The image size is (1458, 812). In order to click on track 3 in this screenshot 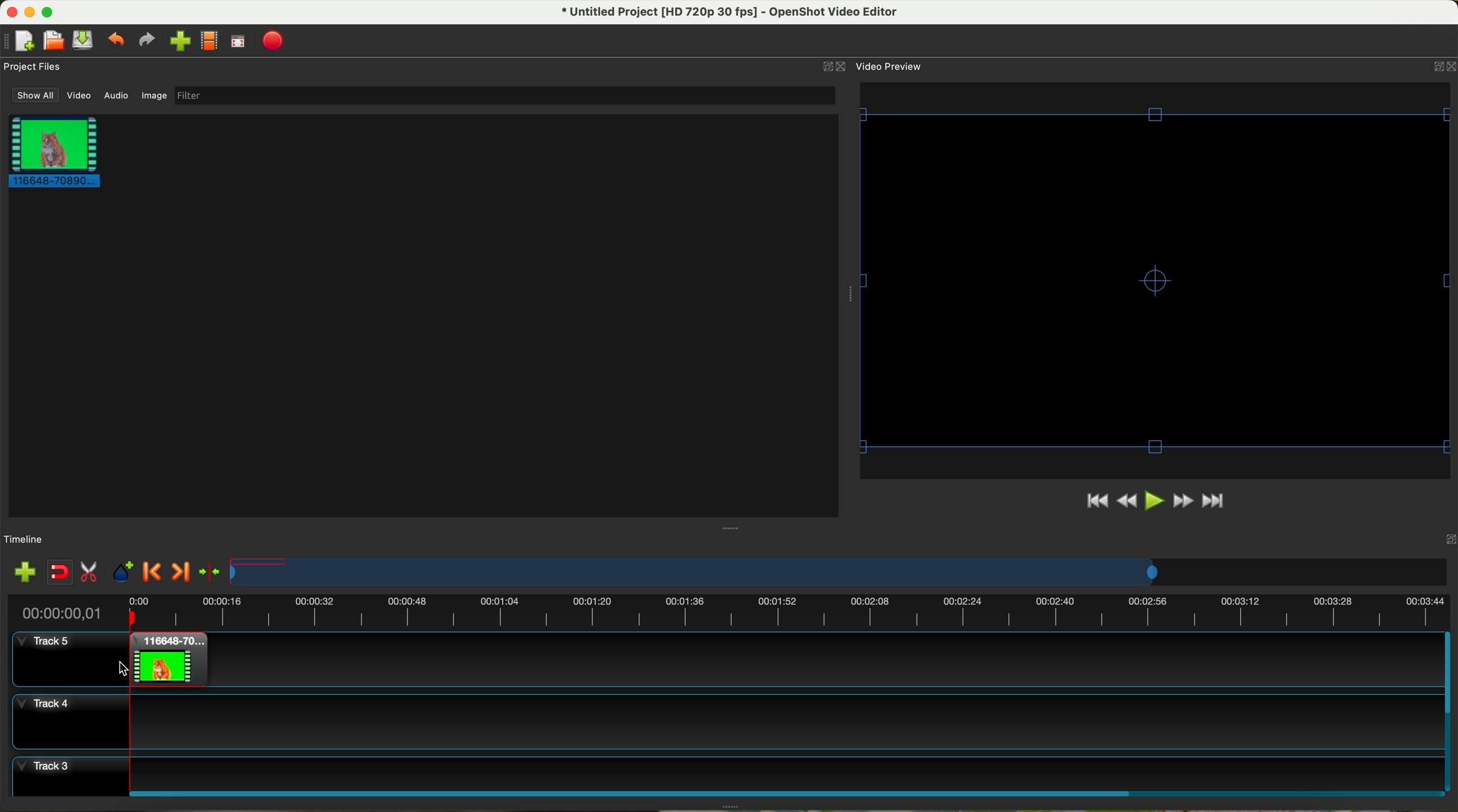, I will do `click(726, 771)`.